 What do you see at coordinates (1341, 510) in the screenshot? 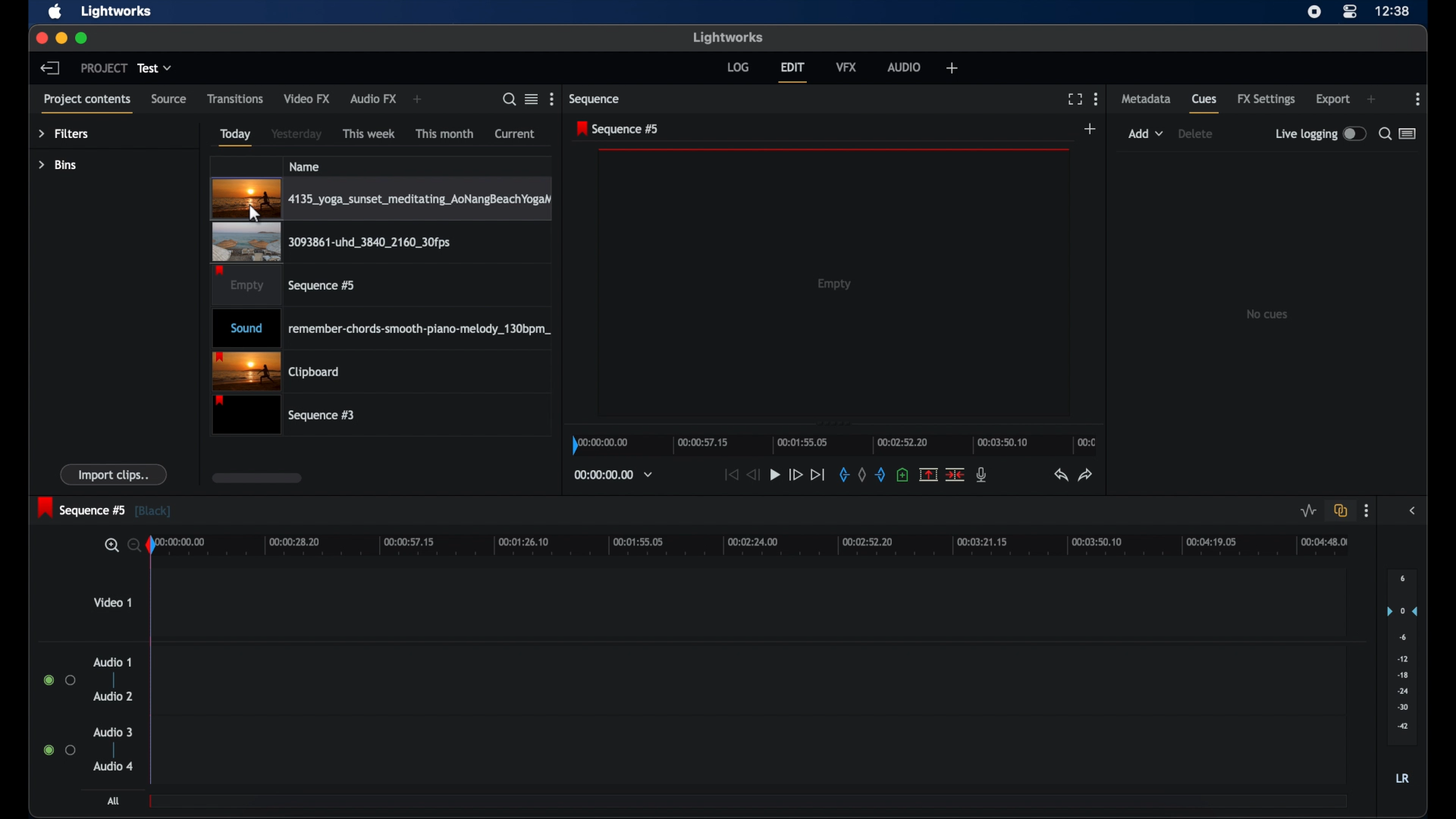
I see `toggle auto track synd` at bounding box center [1341, 510].